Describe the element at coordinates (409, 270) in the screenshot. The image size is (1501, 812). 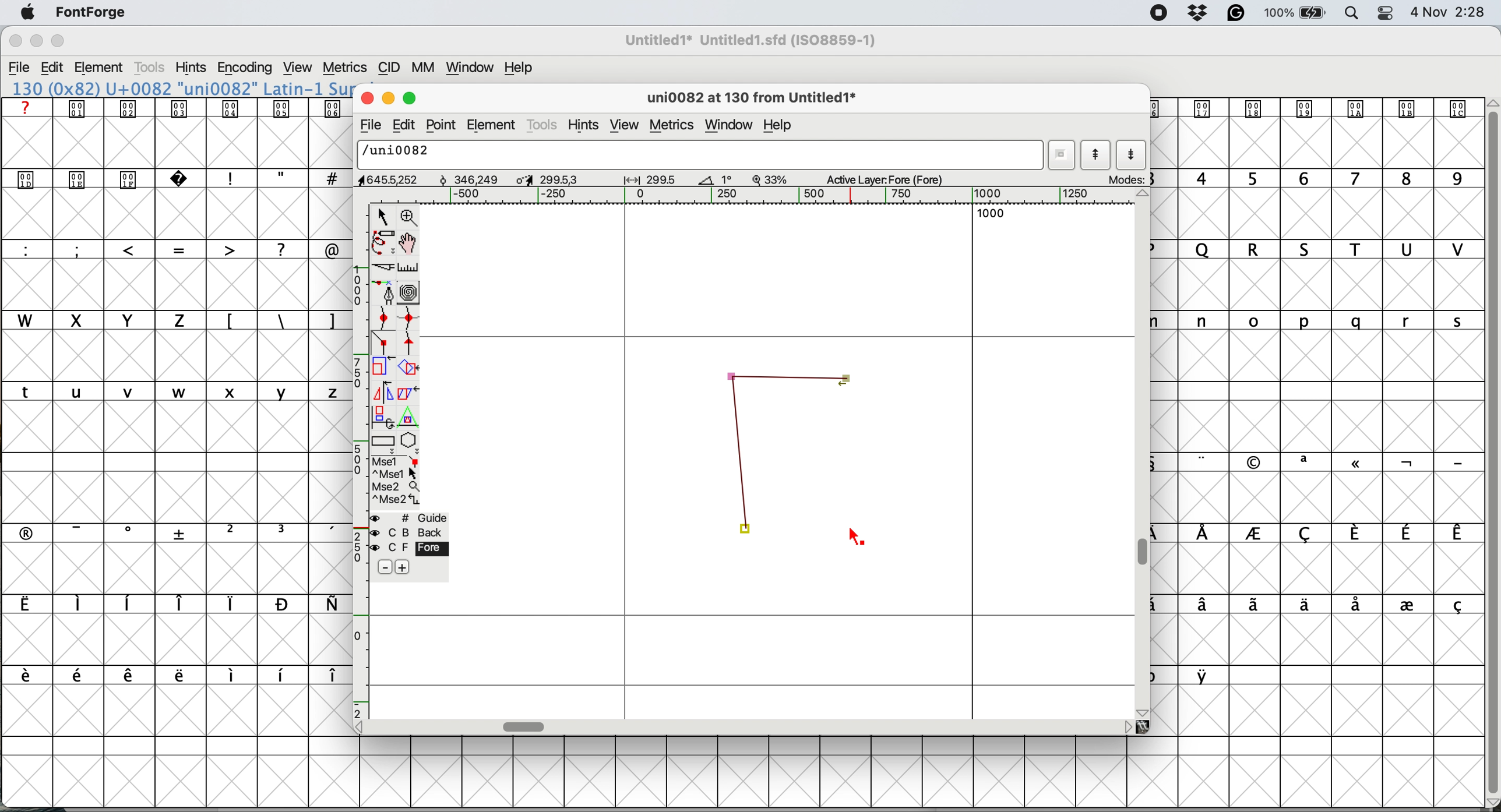
I see `measure distance between two points` at that location.